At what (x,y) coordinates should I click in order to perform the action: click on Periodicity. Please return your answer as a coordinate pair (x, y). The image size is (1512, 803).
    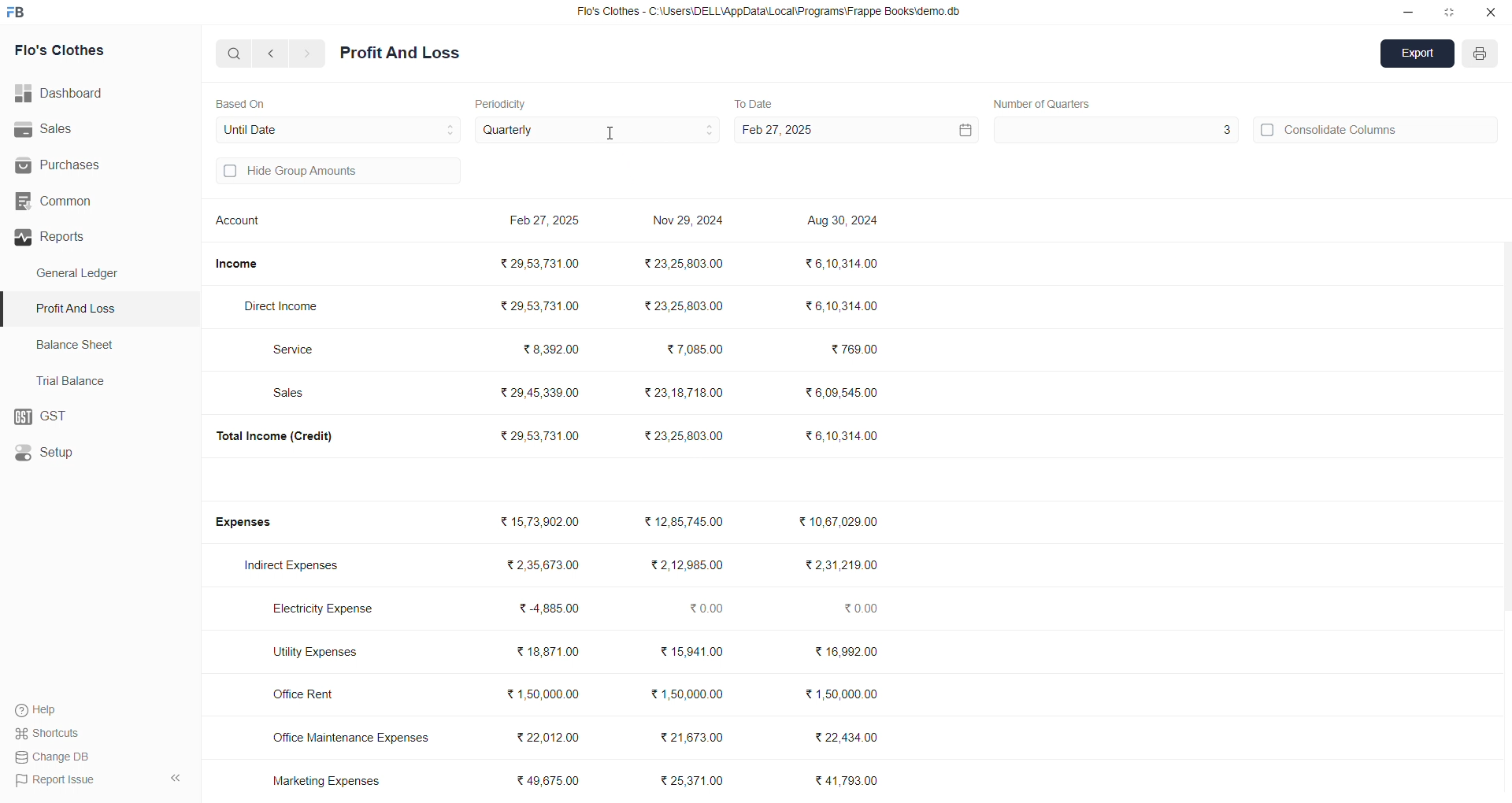
    Looking at the image, I should click on (504, 102).